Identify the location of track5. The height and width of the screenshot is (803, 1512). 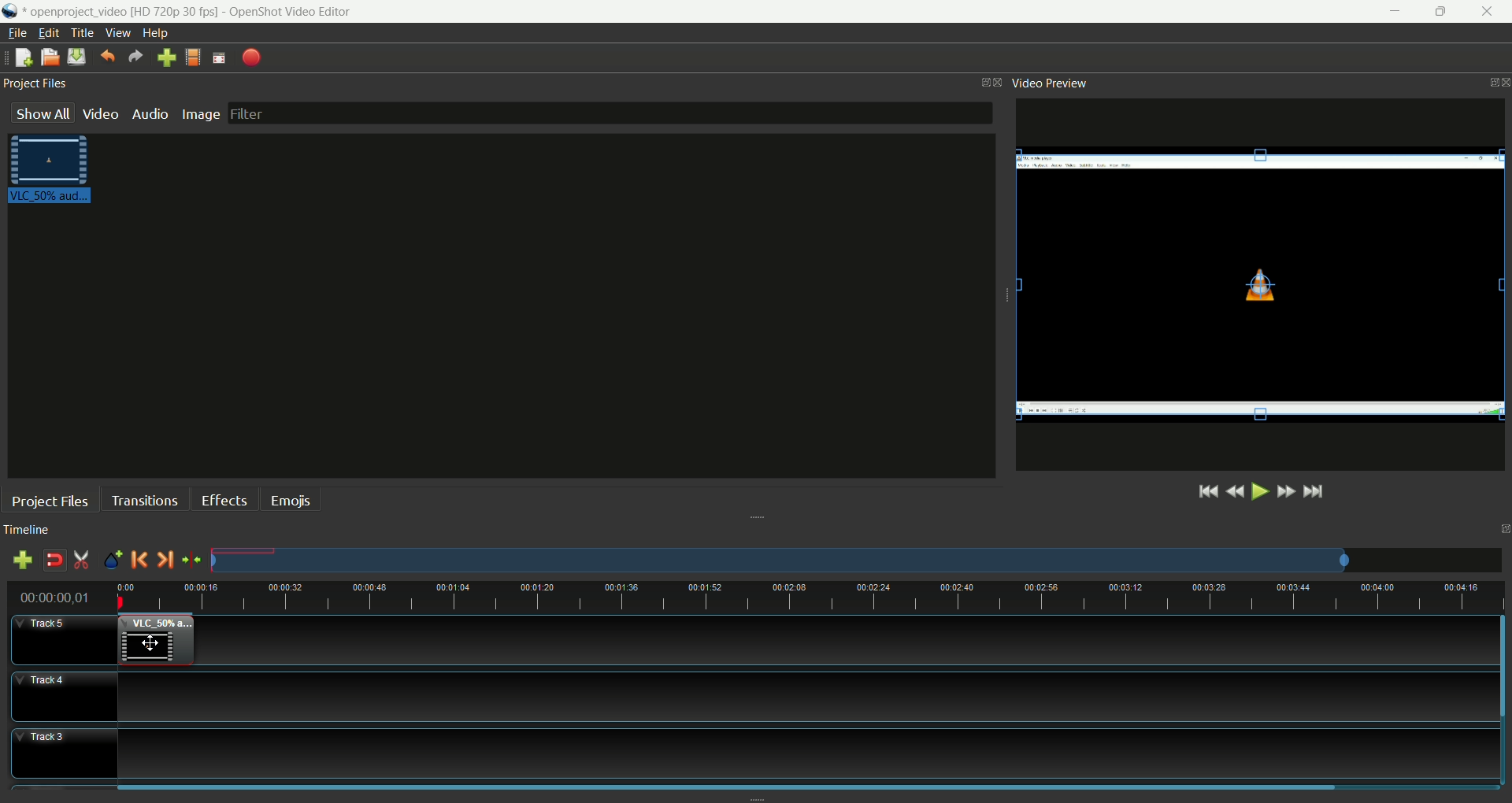
(64, 642).